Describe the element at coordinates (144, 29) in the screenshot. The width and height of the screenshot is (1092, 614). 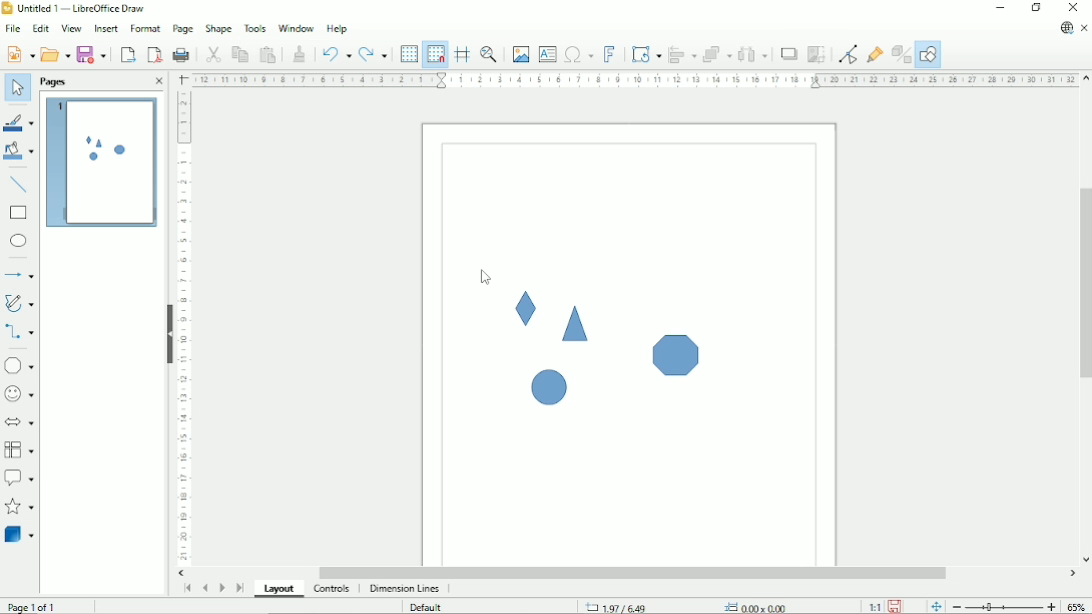
I see `Format` at that location.